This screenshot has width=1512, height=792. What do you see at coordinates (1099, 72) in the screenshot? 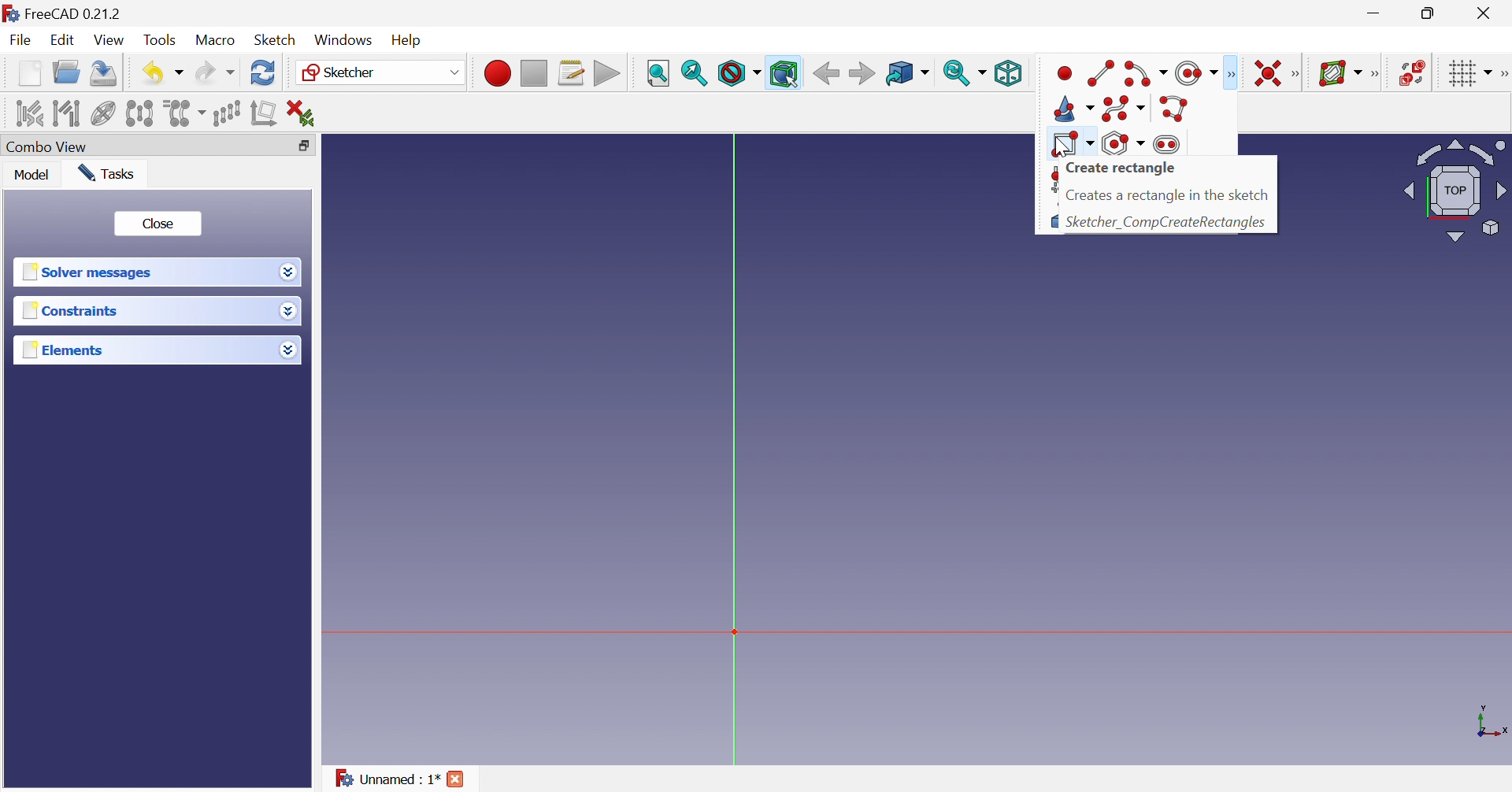
I see `Create line` at bounding box center [1099, 72].